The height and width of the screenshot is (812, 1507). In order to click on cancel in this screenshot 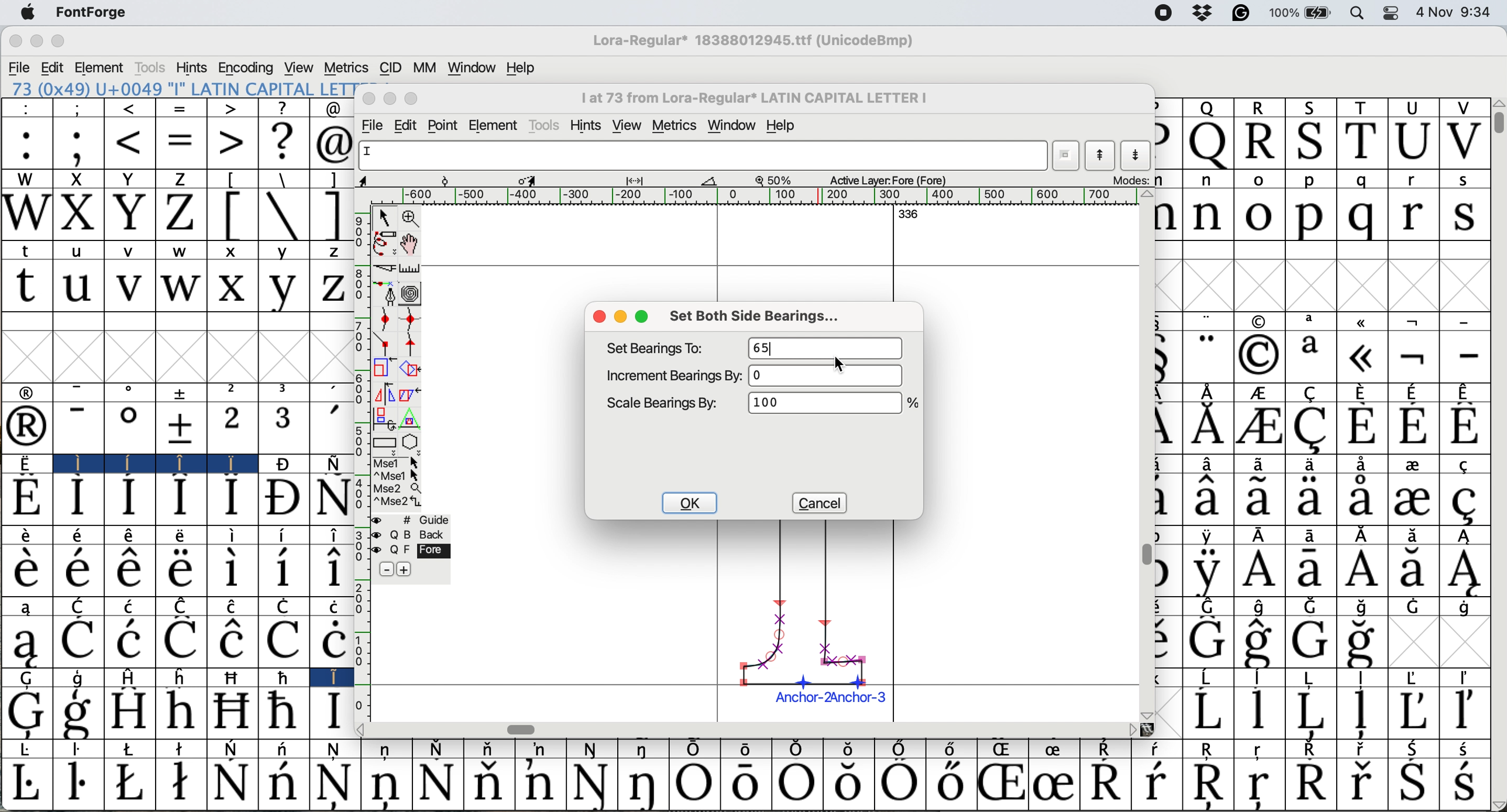, I will do `click(817, 502)`.